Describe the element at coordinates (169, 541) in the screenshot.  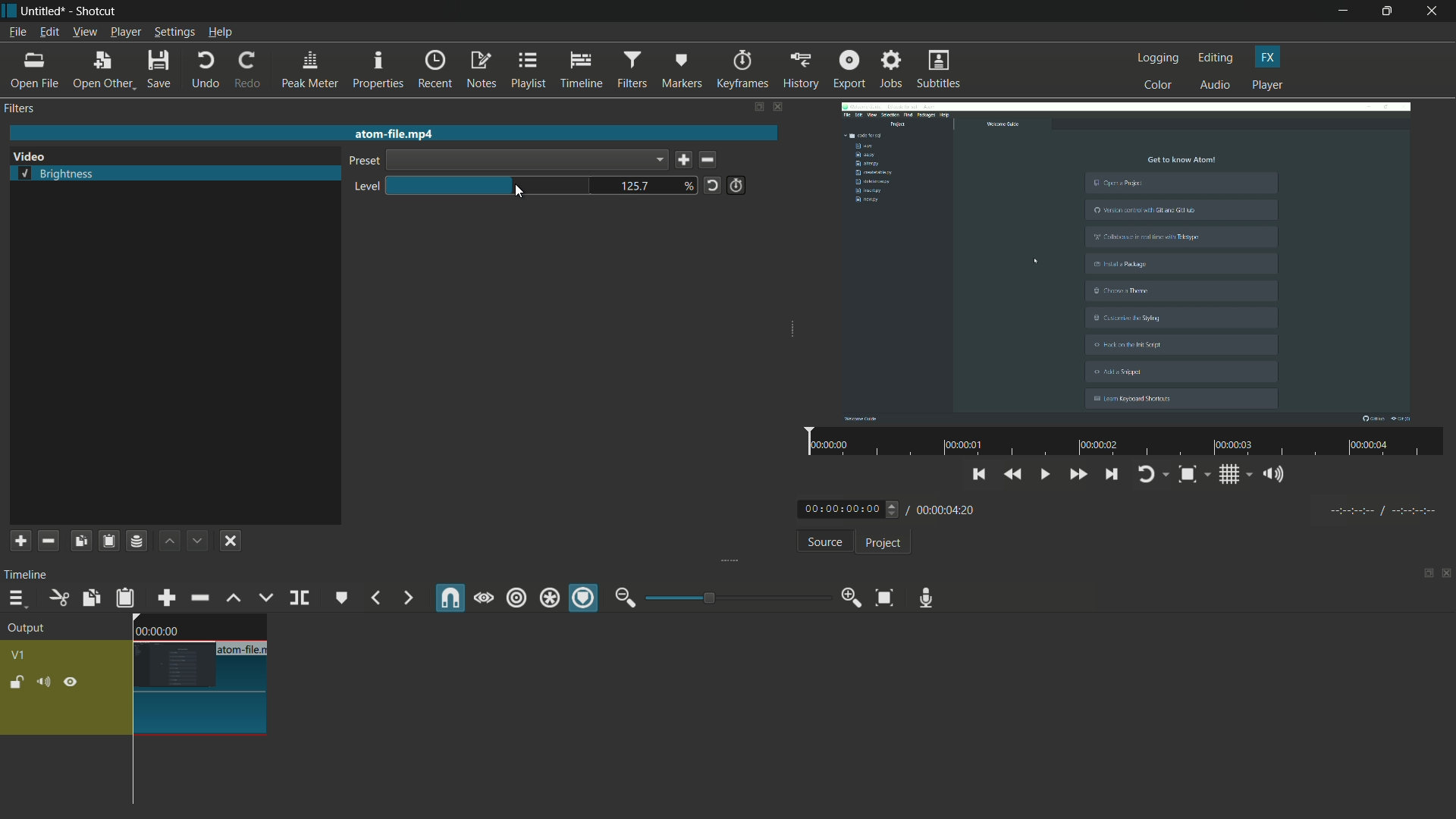
I see `move filter up` at that location.